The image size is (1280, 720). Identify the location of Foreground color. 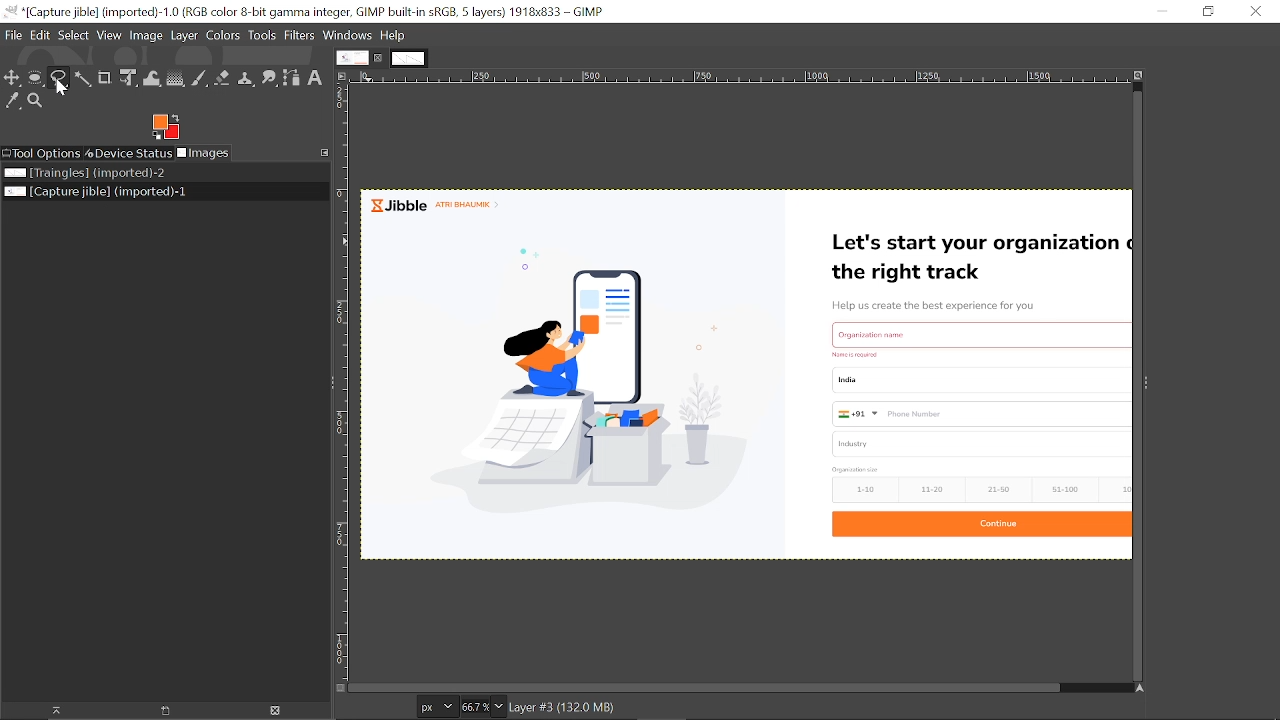
(166, 127).